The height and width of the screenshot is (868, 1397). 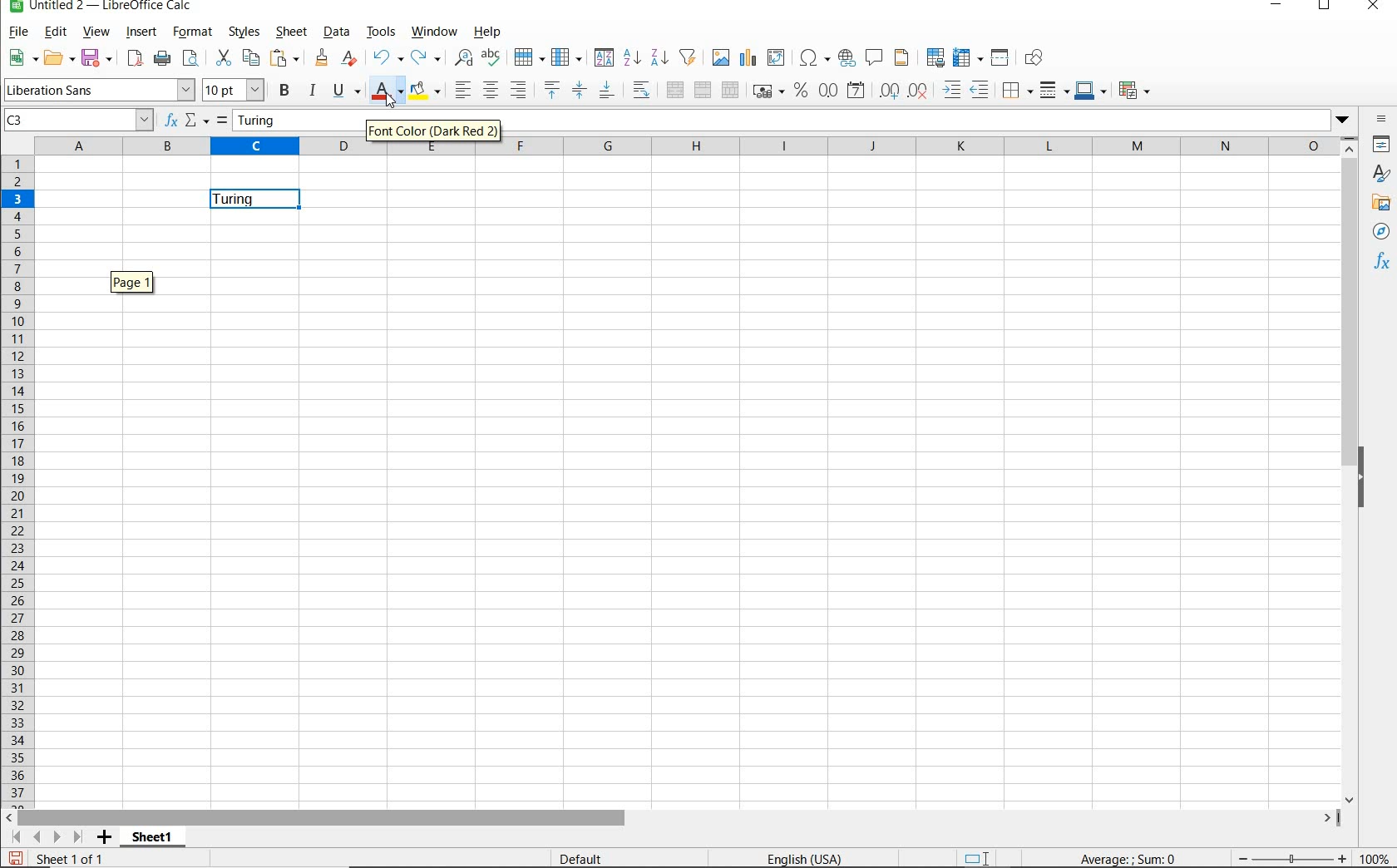 I want to click on CLONE FORMATTING, so click(x=322, y=60).